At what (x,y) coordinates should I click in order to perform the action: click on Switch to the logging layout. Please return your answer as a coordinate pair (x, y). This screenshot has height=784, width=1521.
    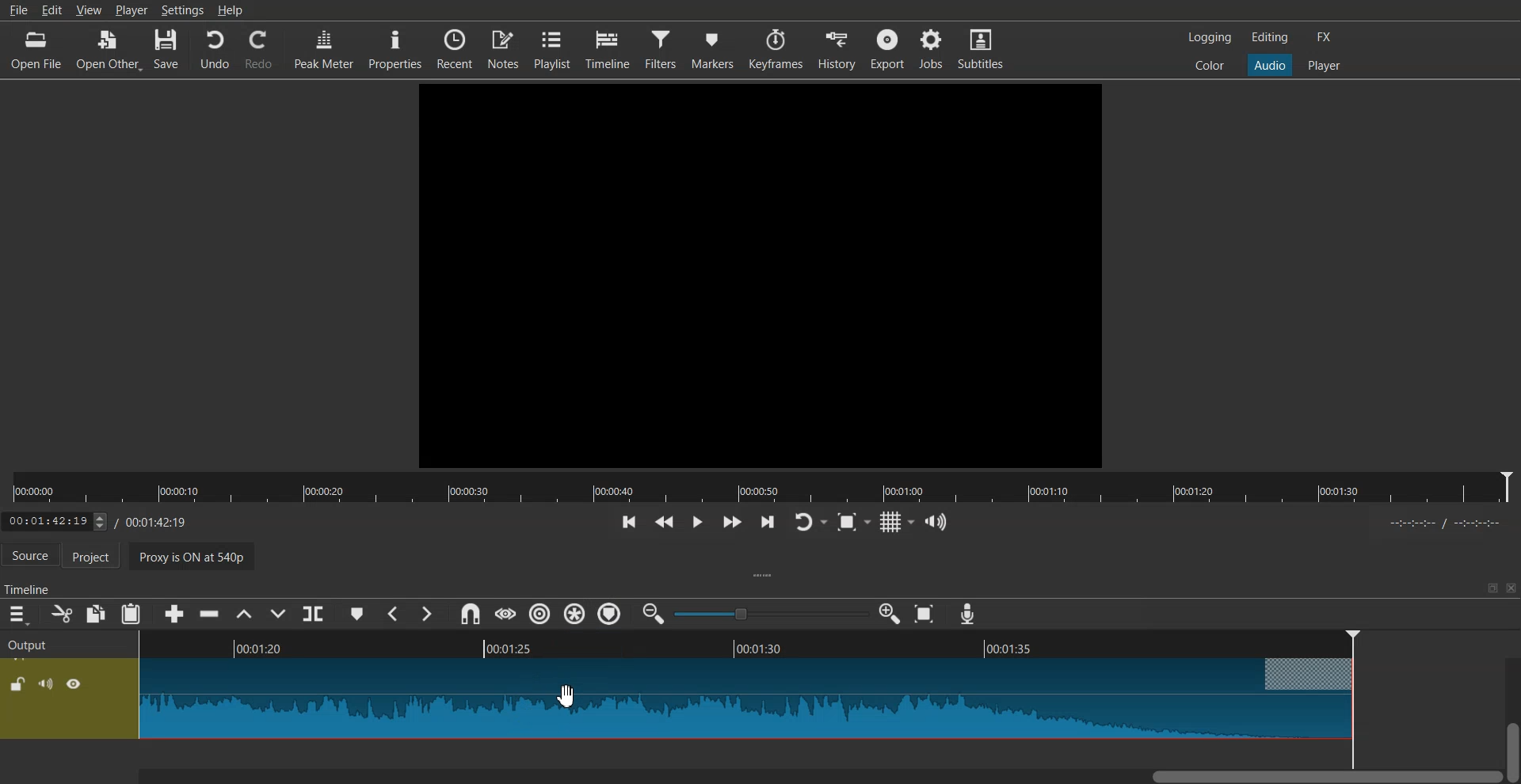
    Looking at the image, I should click on (1208, 37).